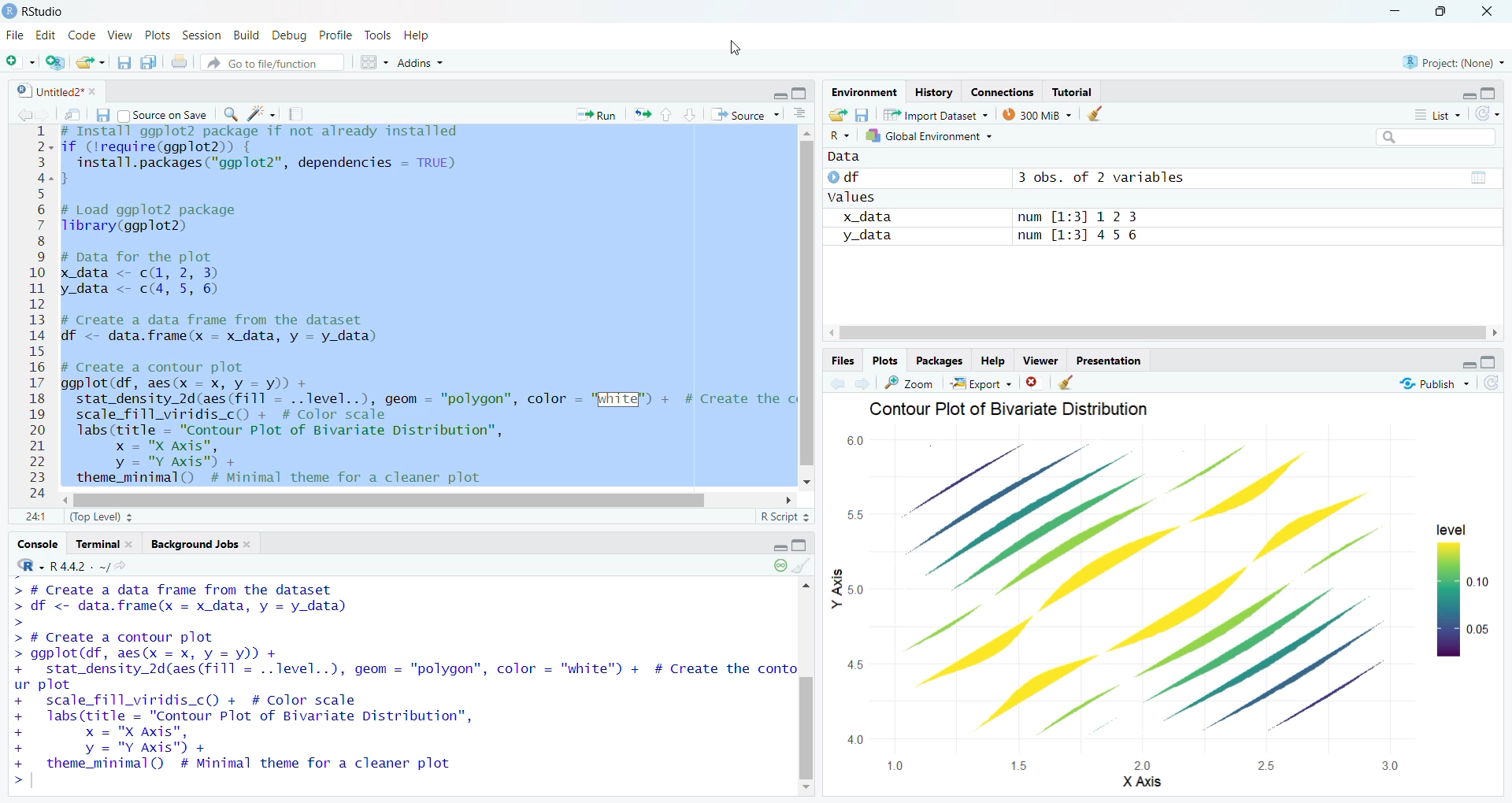 The image size is (1512, 803). I want to click on workspace pane, so click(372, 60).